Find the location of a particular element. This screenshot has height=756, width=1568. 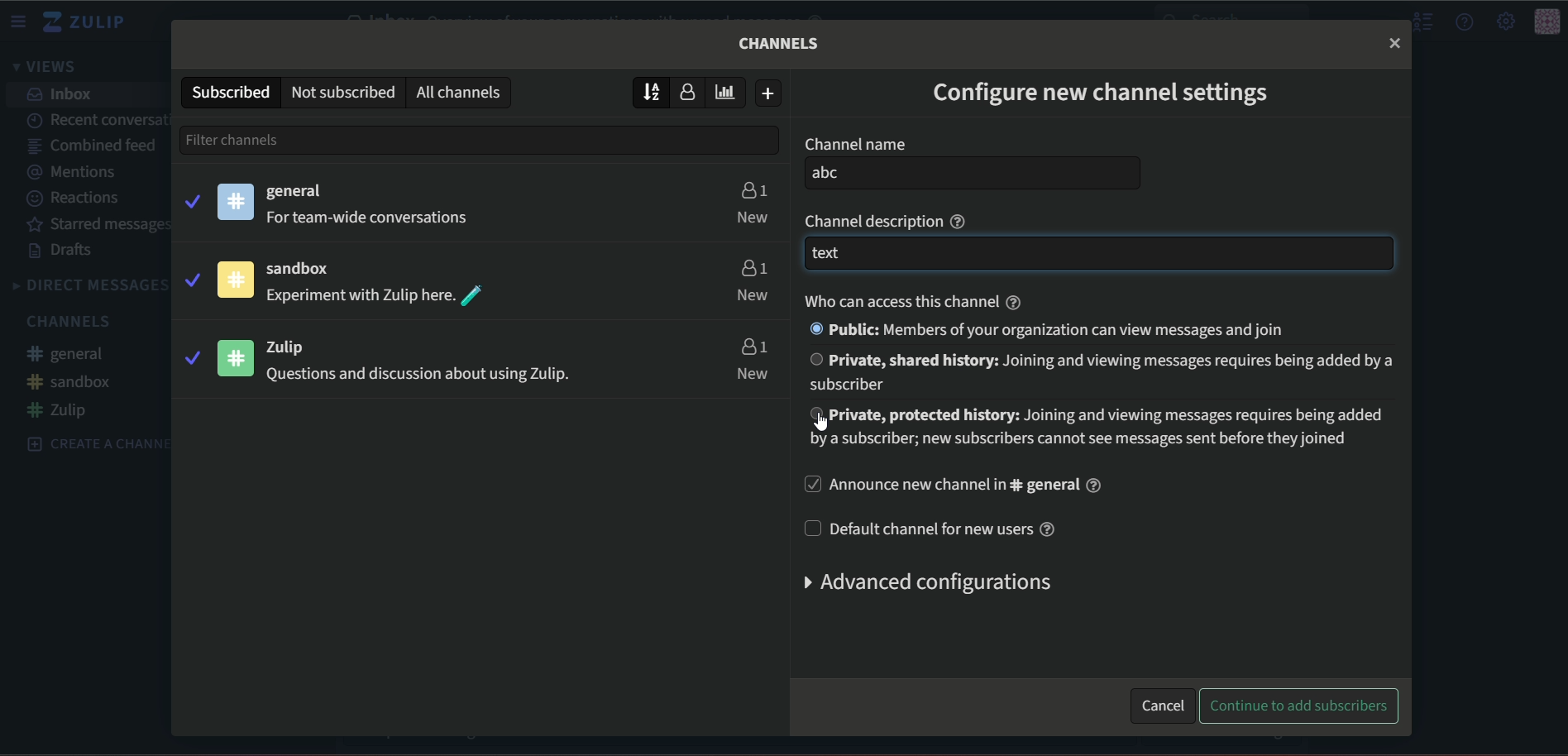

new is located at coordinates (754, 374).